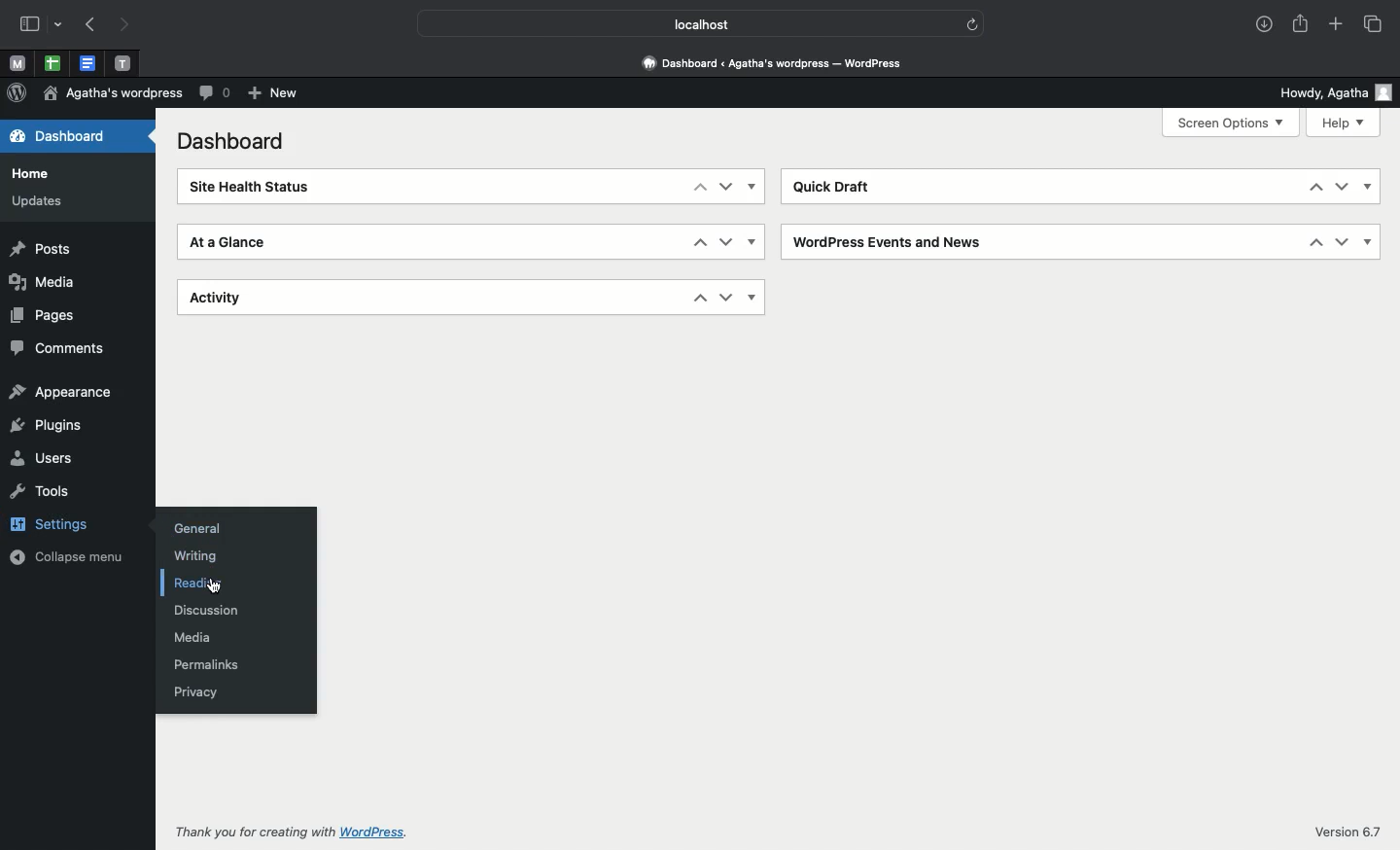  Describe the element at coordinates (64, 137) in the screenshot. I see `Dashboard` at that location.